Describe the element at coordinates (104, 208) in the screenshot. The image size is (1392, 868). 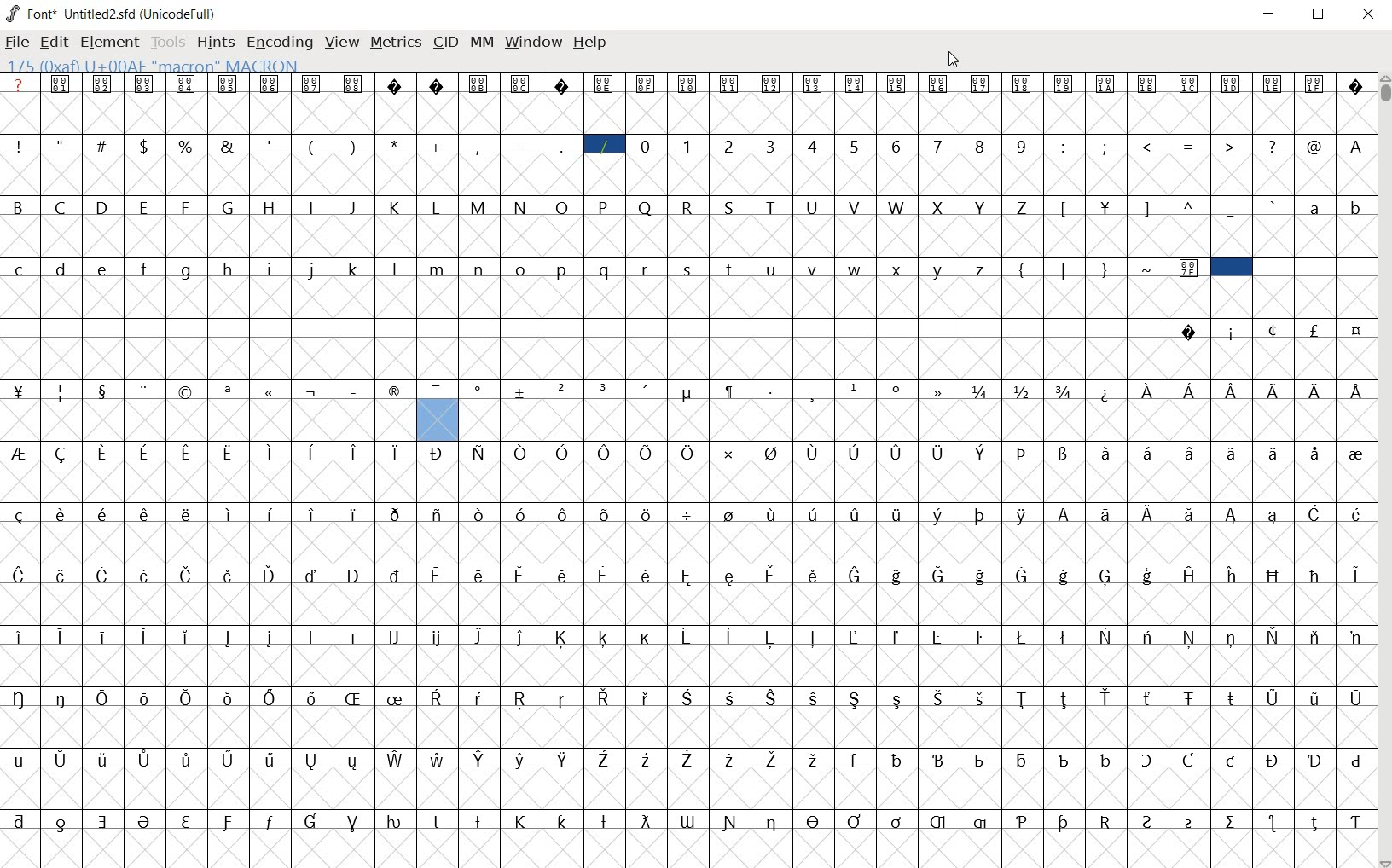
I see `D` at that location.